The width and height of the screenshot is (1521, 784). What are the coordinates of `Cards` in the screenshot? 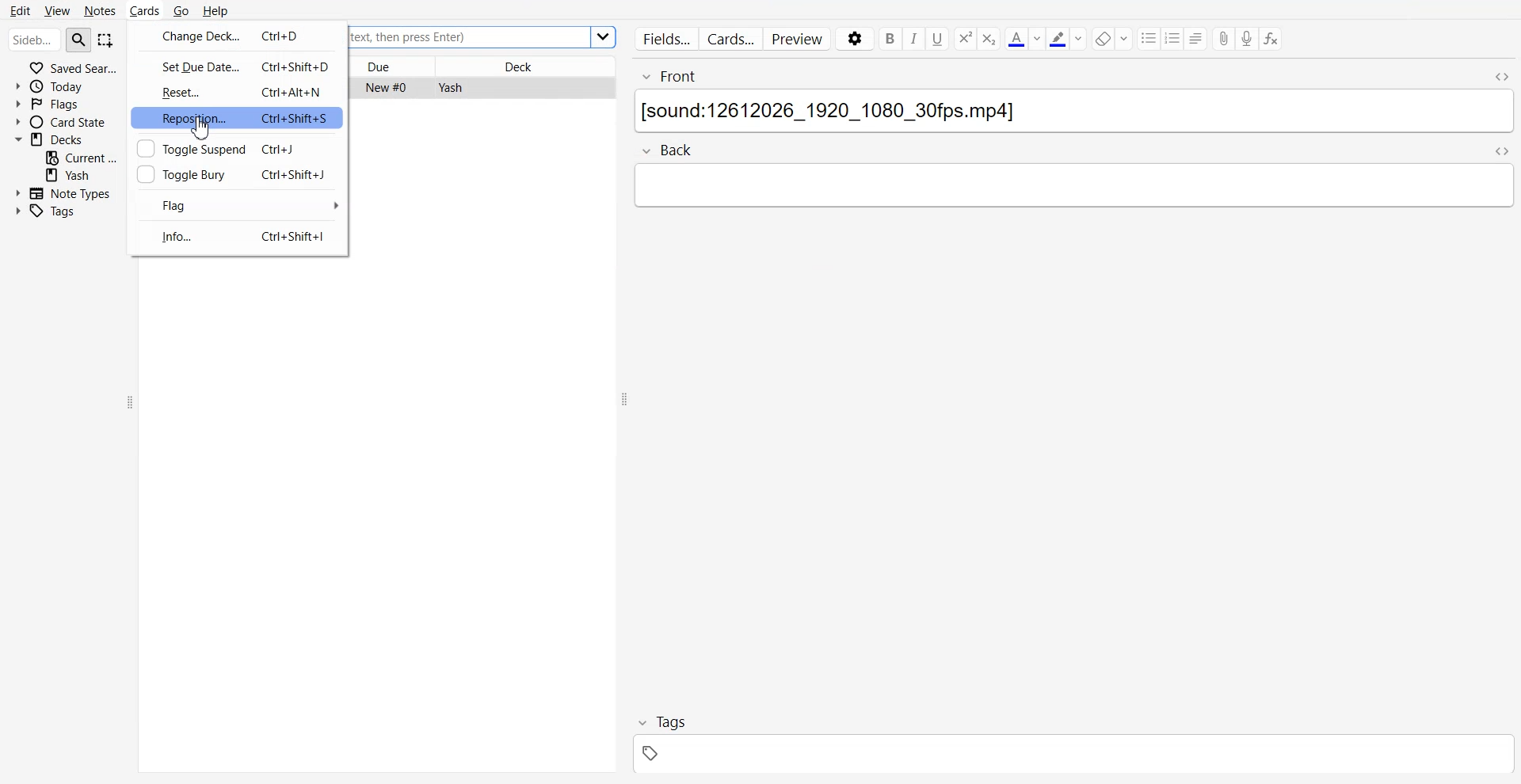 It's located at (731, 39).